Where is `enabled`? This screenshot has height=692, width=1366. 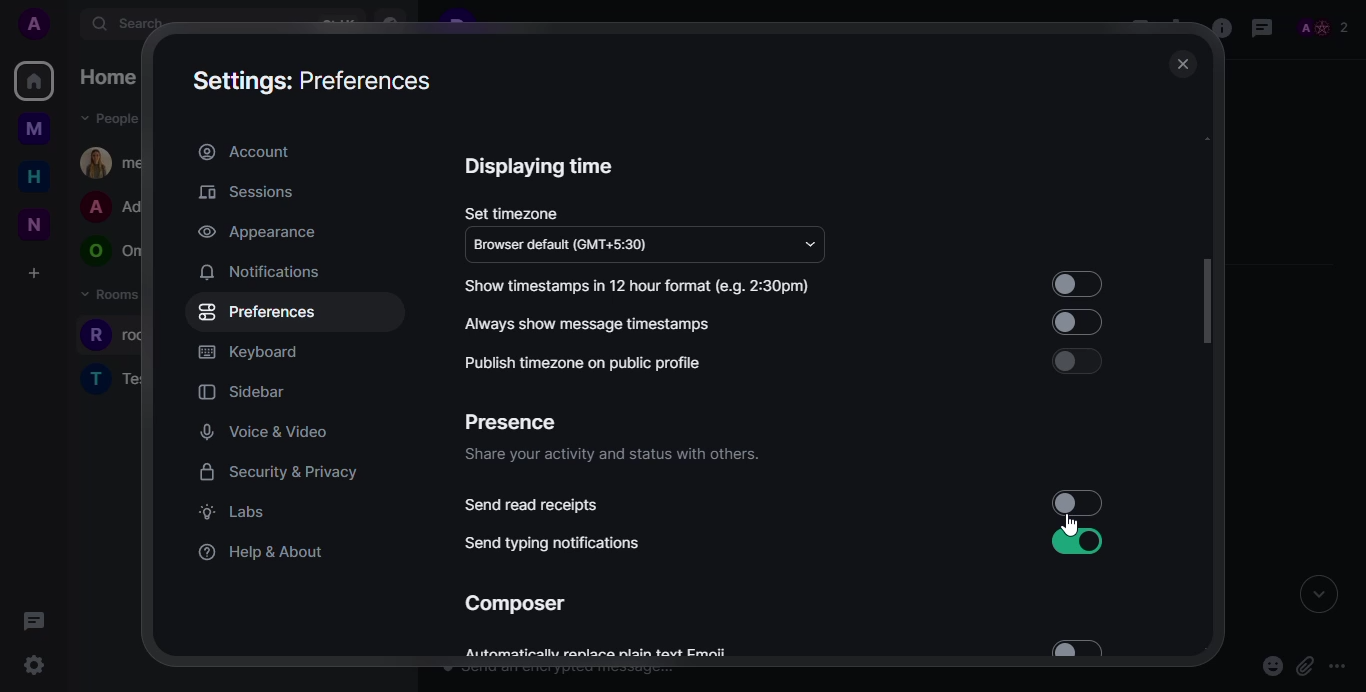
enabled is located at coordinates (1069, 543).